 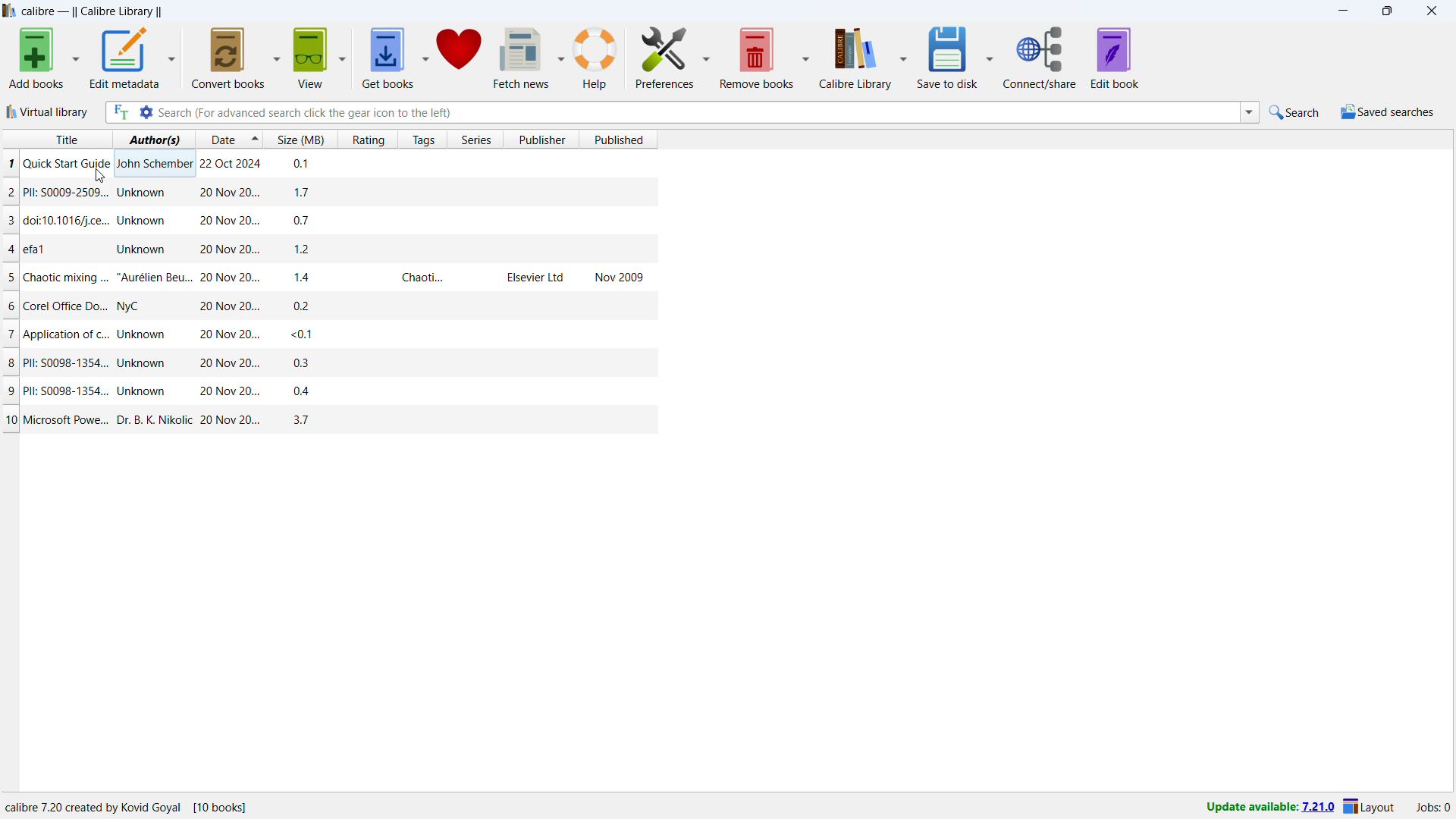 I want to click on edit metadata, so click(x=124, y=58).